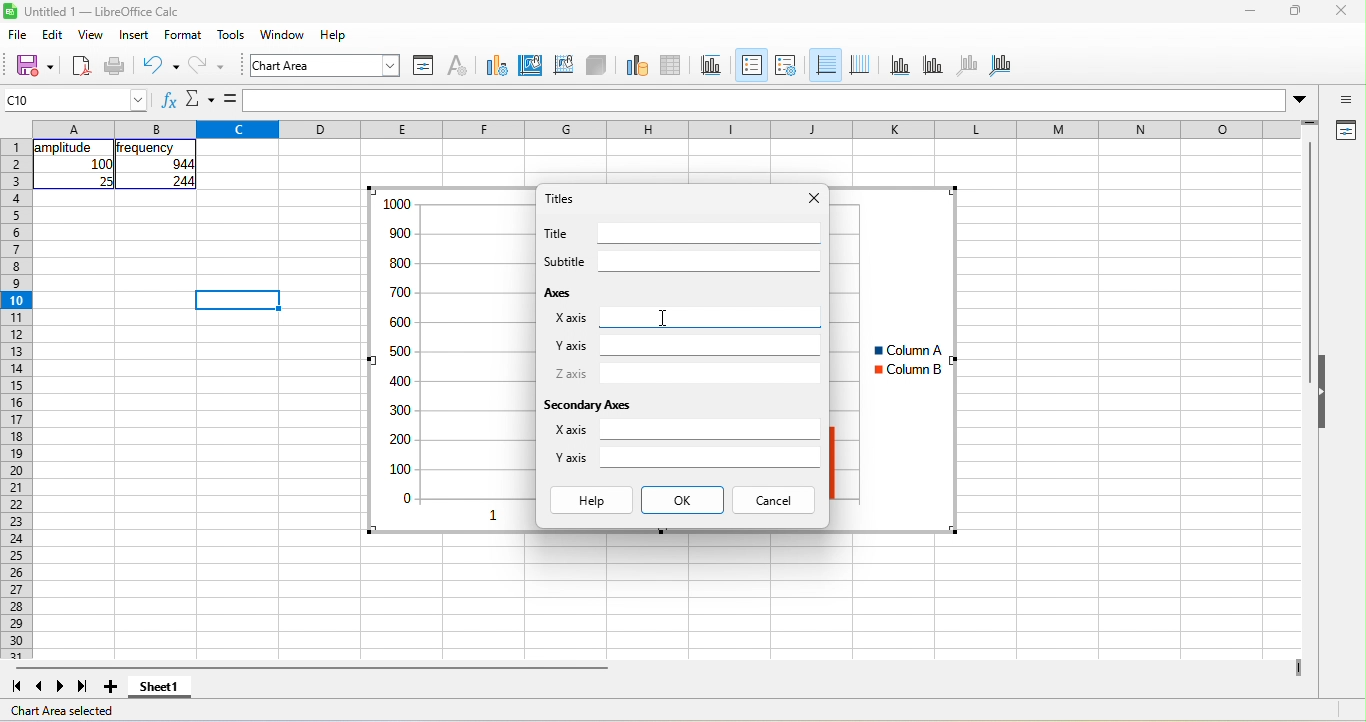 This screenshot has width=1366, height=722. What do you see at coordinates (596, 66) in the screenshot?
I see `3d view` at bounding box center [596, 66].